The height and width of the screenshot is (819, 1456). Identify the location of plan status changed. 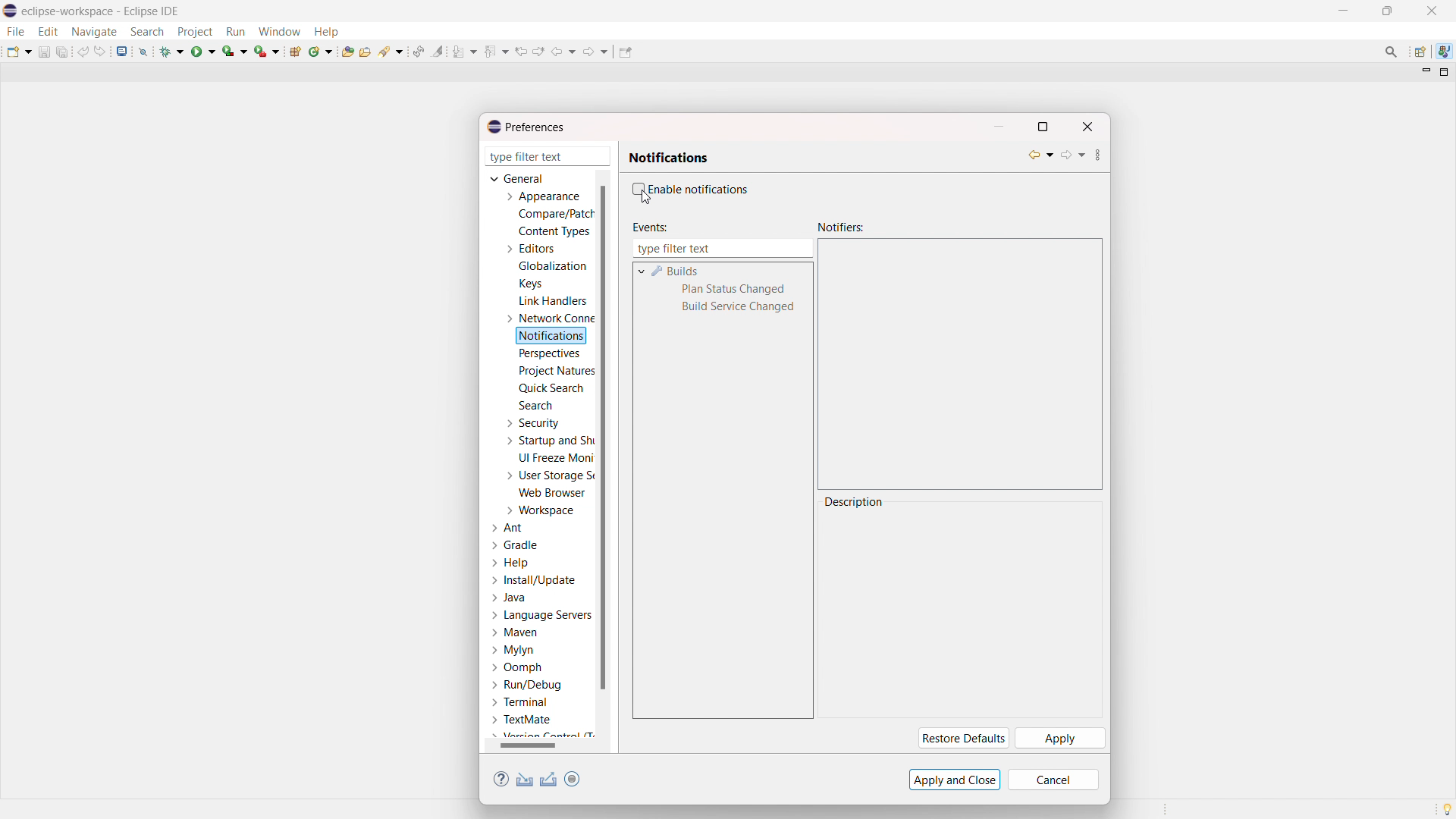
(735, 290).